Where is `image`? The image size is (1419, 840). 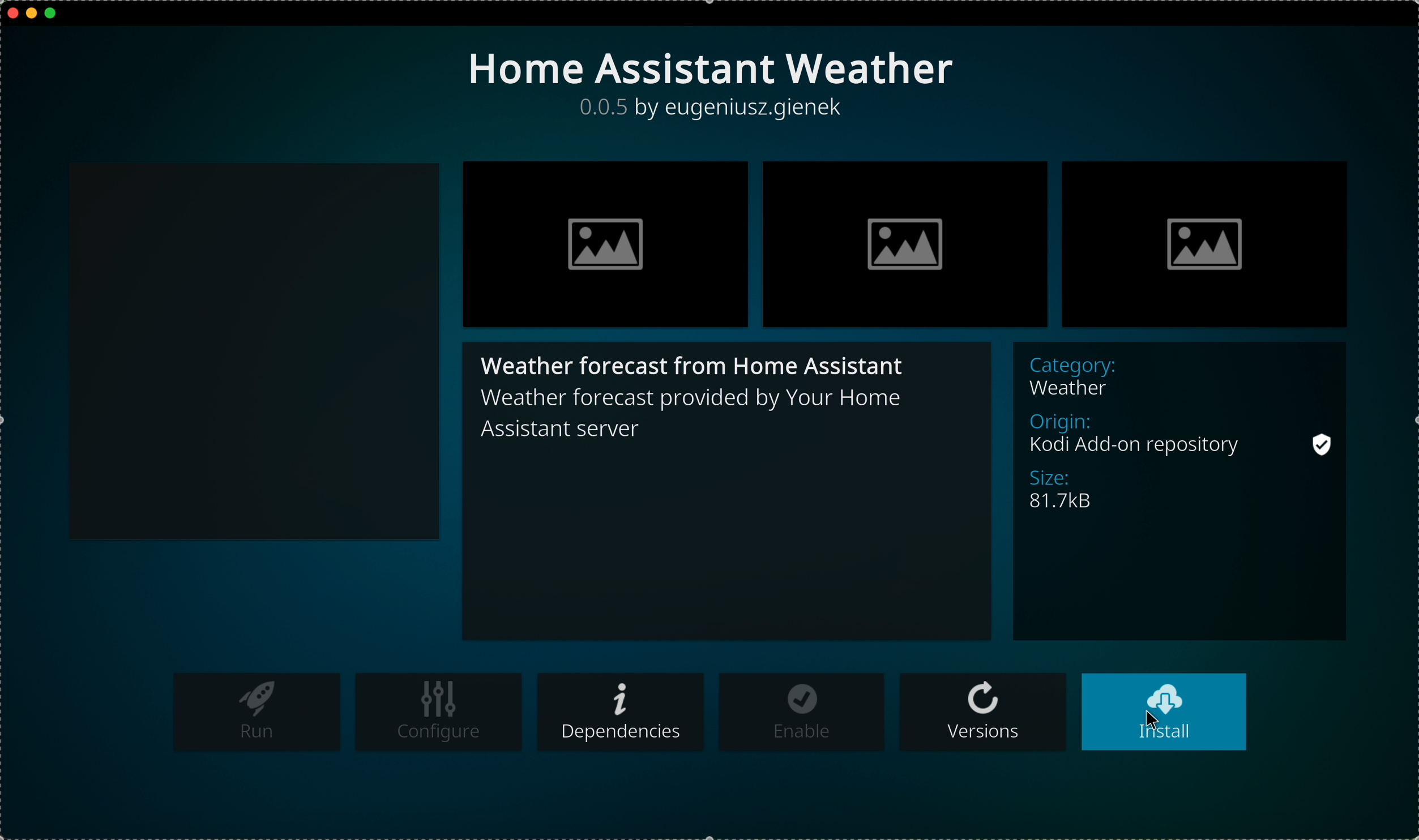 image is located at coordinates (1205, 246).